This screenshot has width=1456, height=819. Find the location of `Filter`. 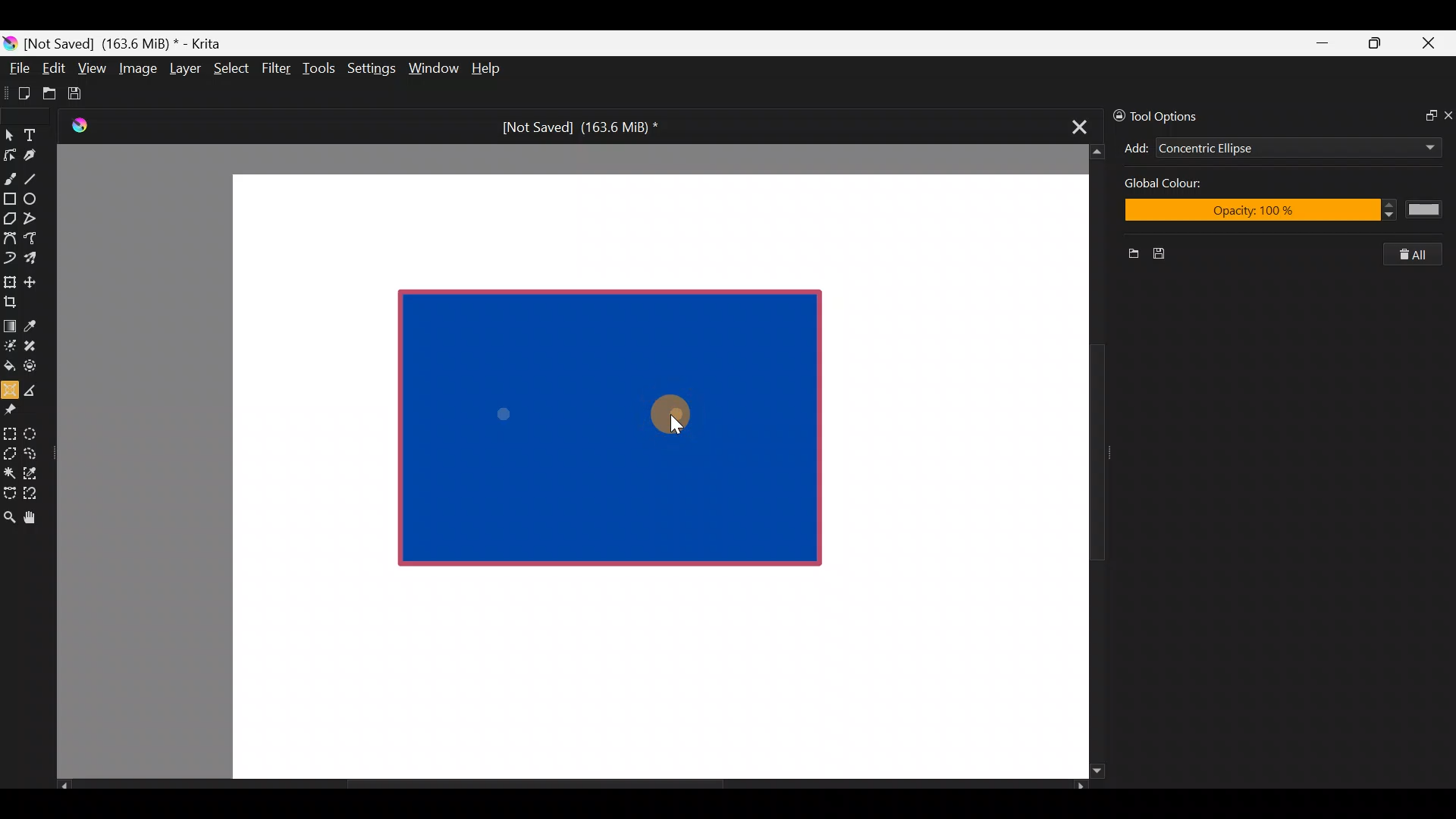

Filter is located at coordinates (277, 67).